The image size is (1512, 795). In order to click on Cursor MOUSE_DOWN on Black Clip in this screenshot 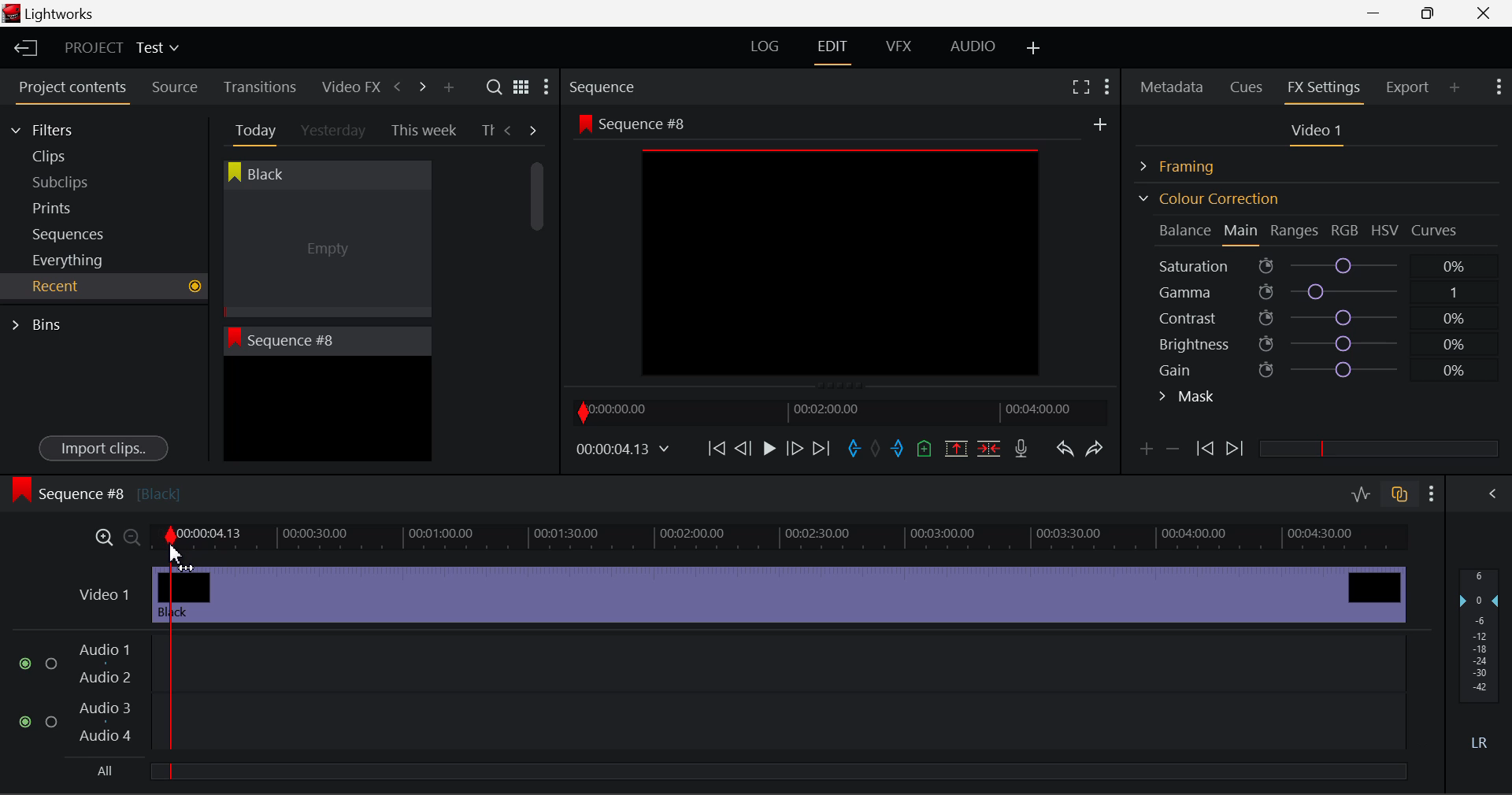, I will do `click(325, 253)`.